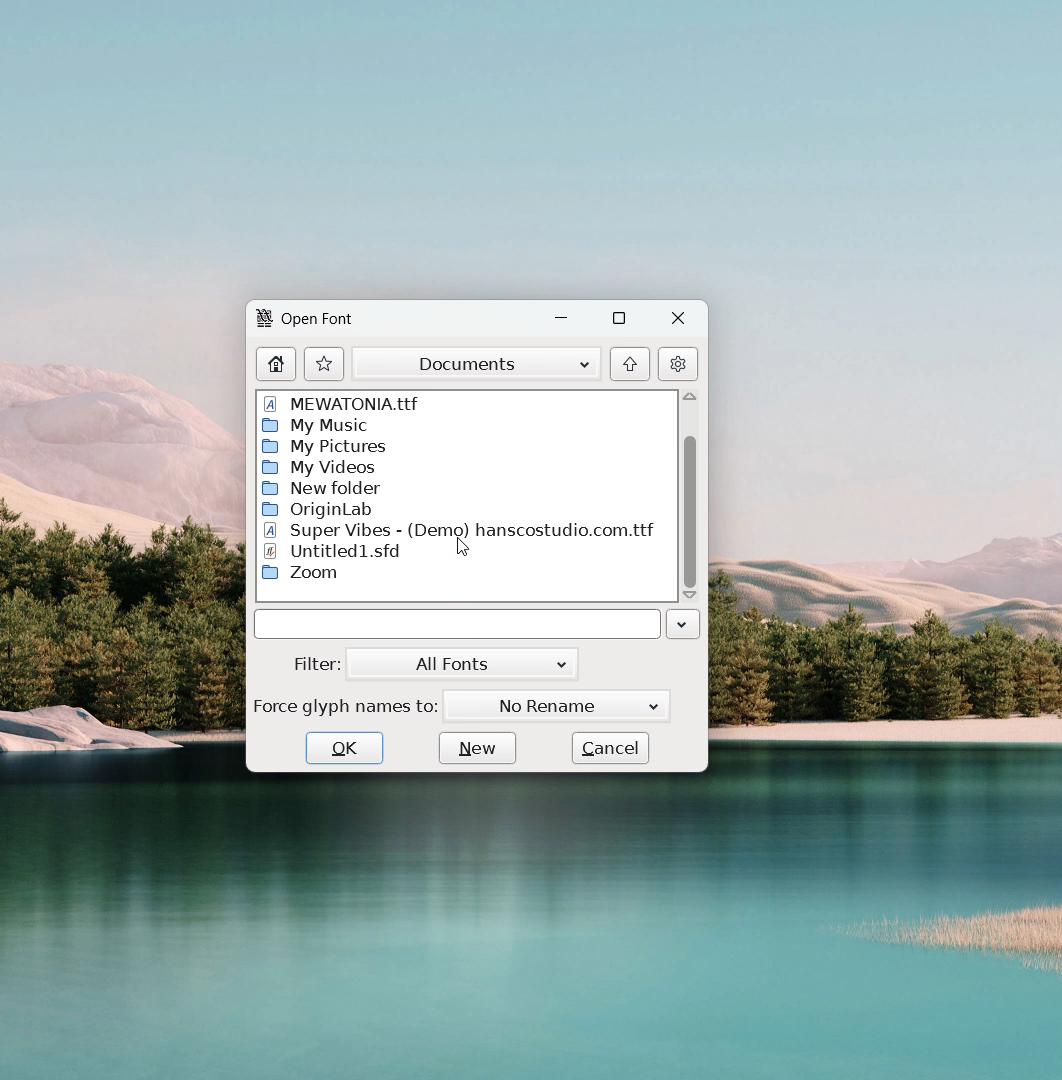  I want to click on ok, so click(344, 749).